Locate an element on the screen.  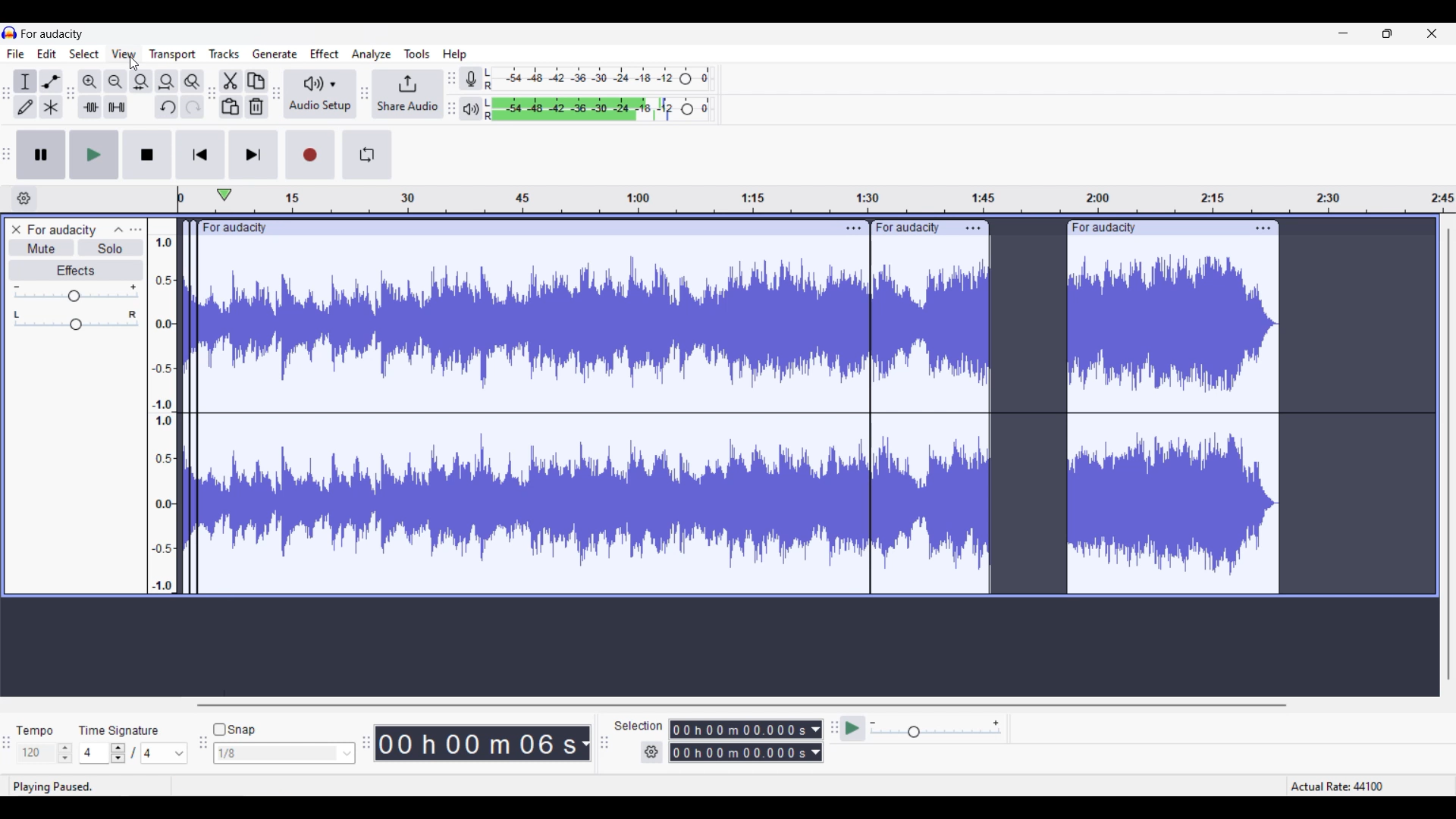
Tempo settings is located at coordinates (45, 753).